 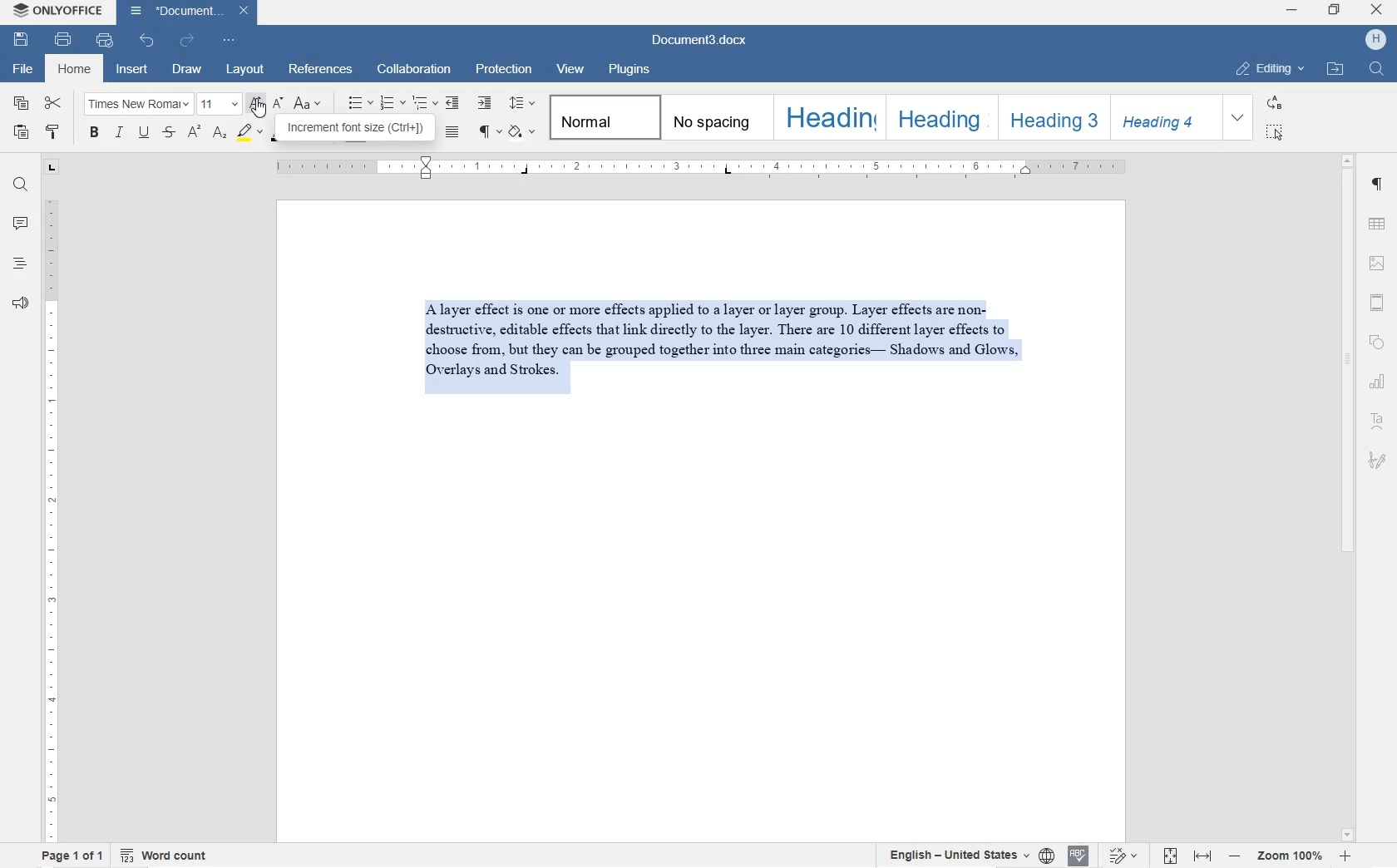 I want to click on DECREASE INDENT, so click(x=453, y=105).